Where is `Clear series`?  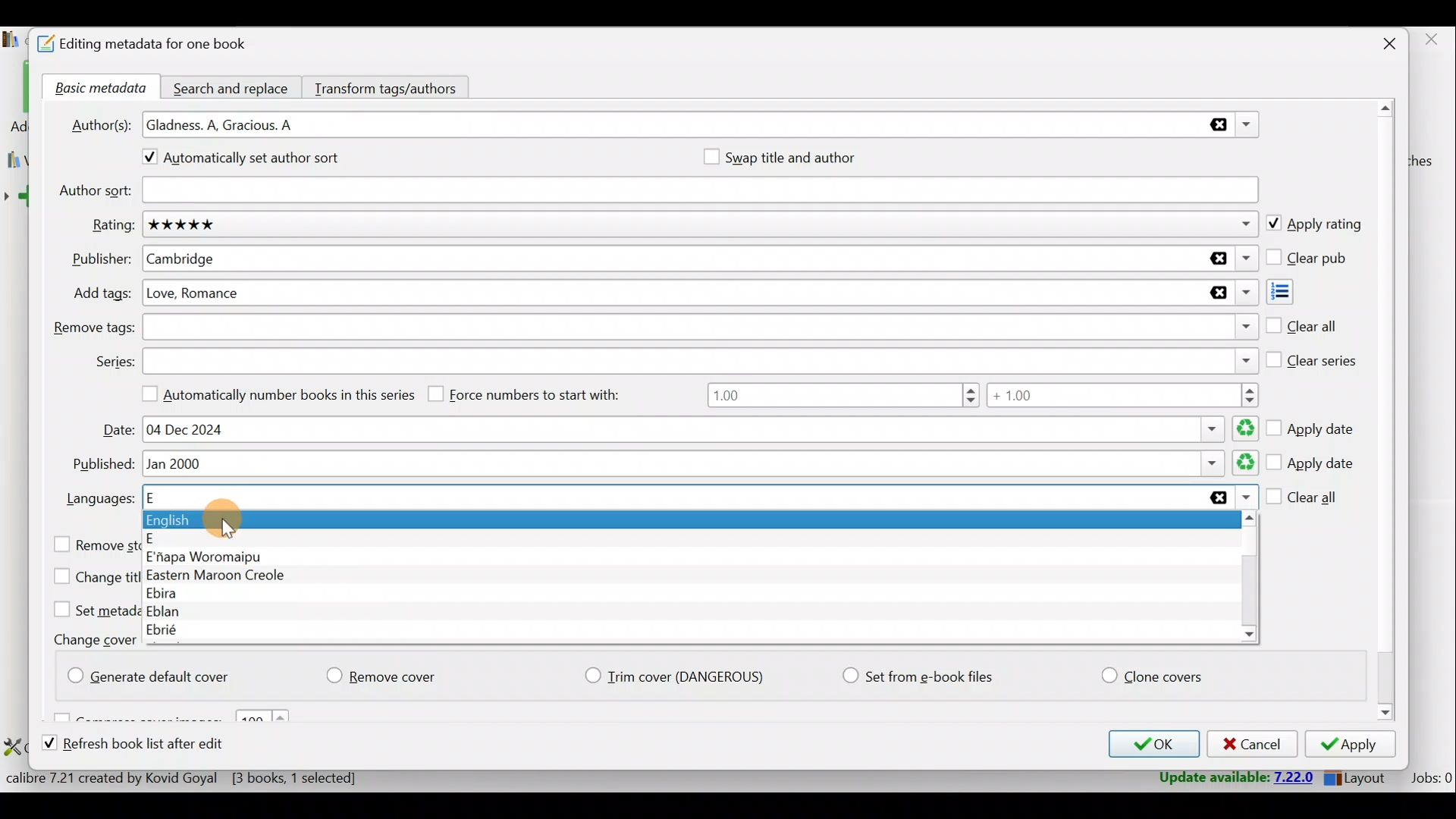
Clear series is located at coordinates (1313, 357).